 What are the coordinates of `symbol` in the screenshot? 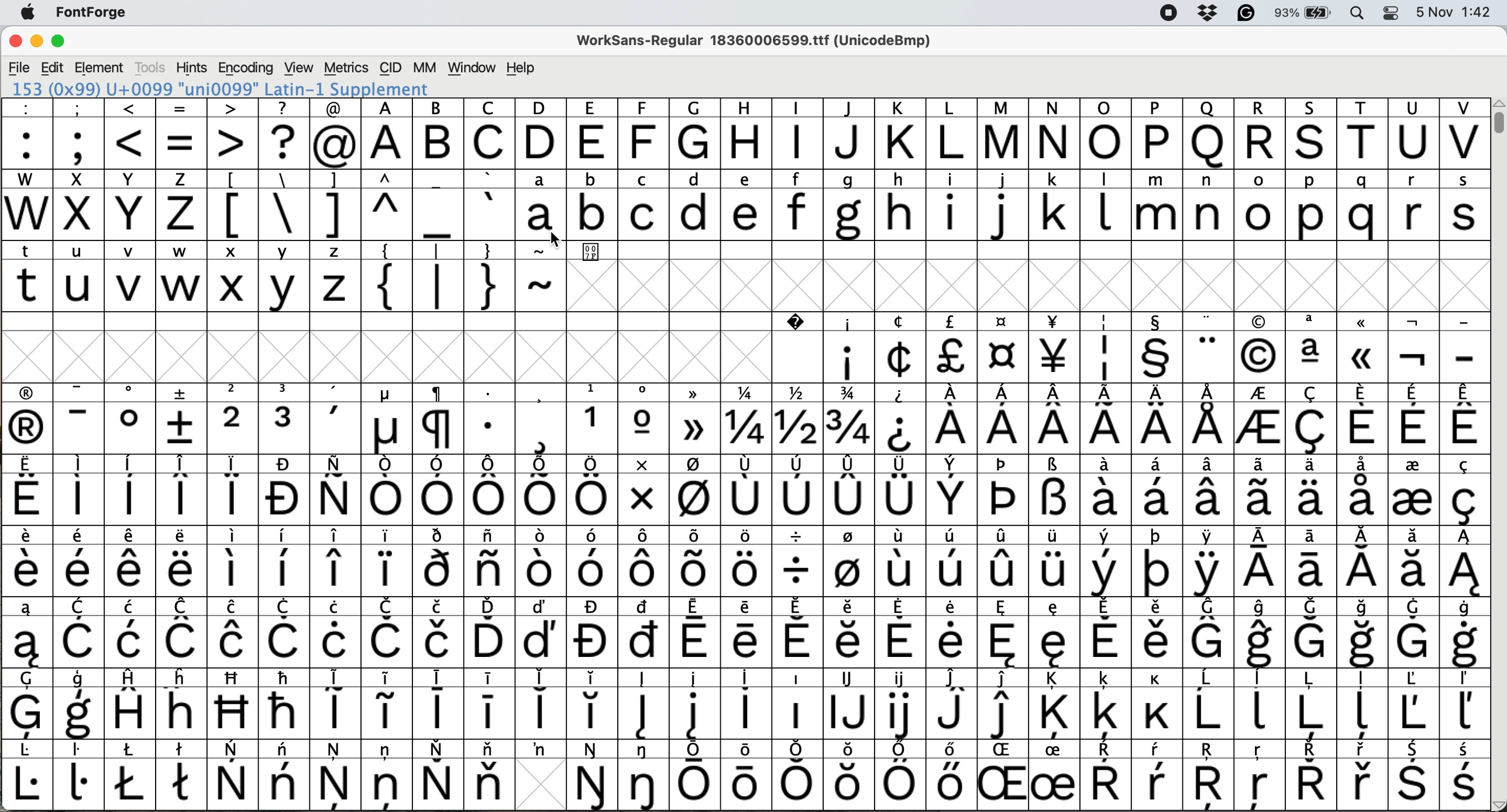 It's located at (1105, 563).